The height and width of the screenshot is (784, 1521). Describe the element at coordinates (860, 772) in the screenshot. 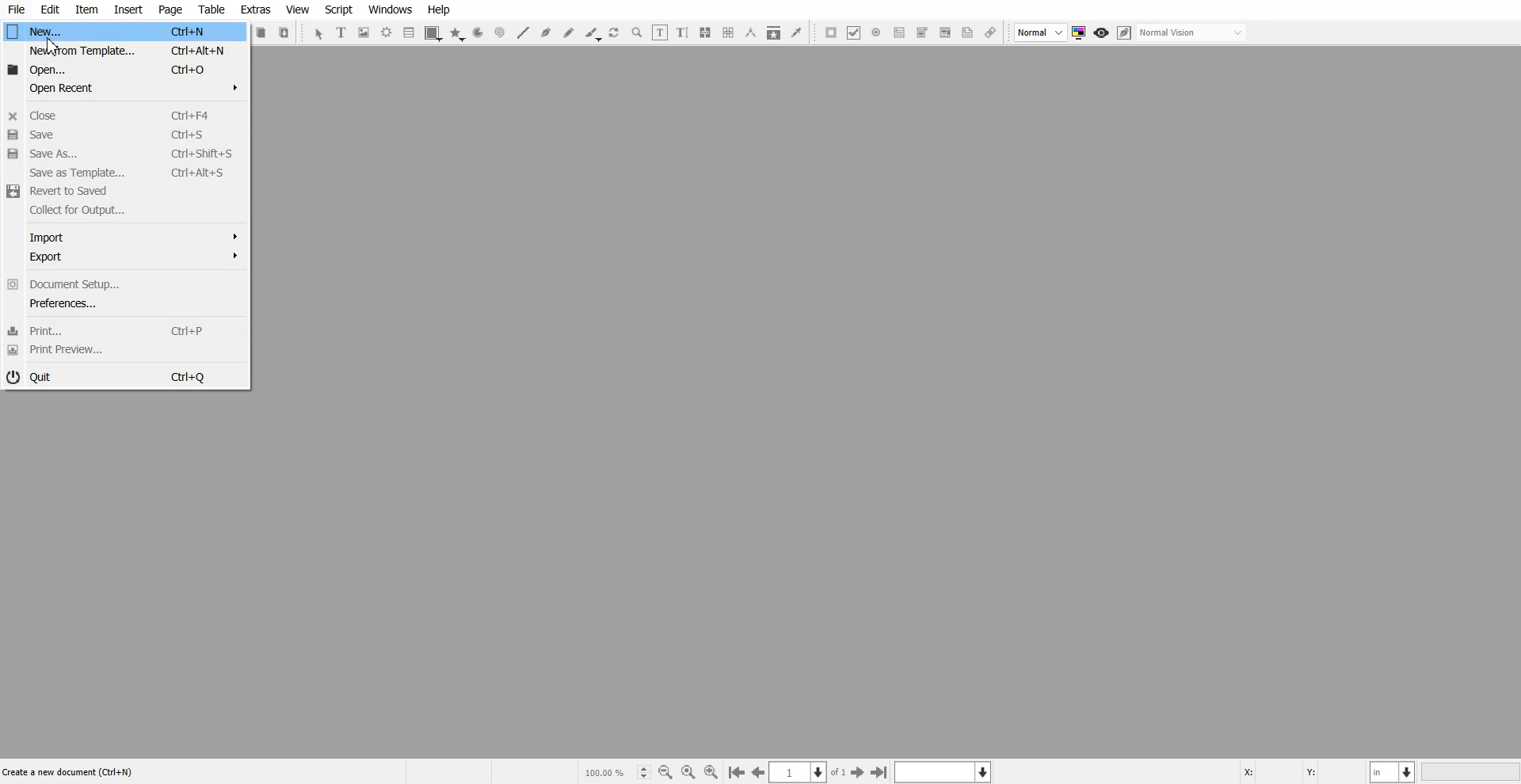

I see `Go to the First page` at that location.